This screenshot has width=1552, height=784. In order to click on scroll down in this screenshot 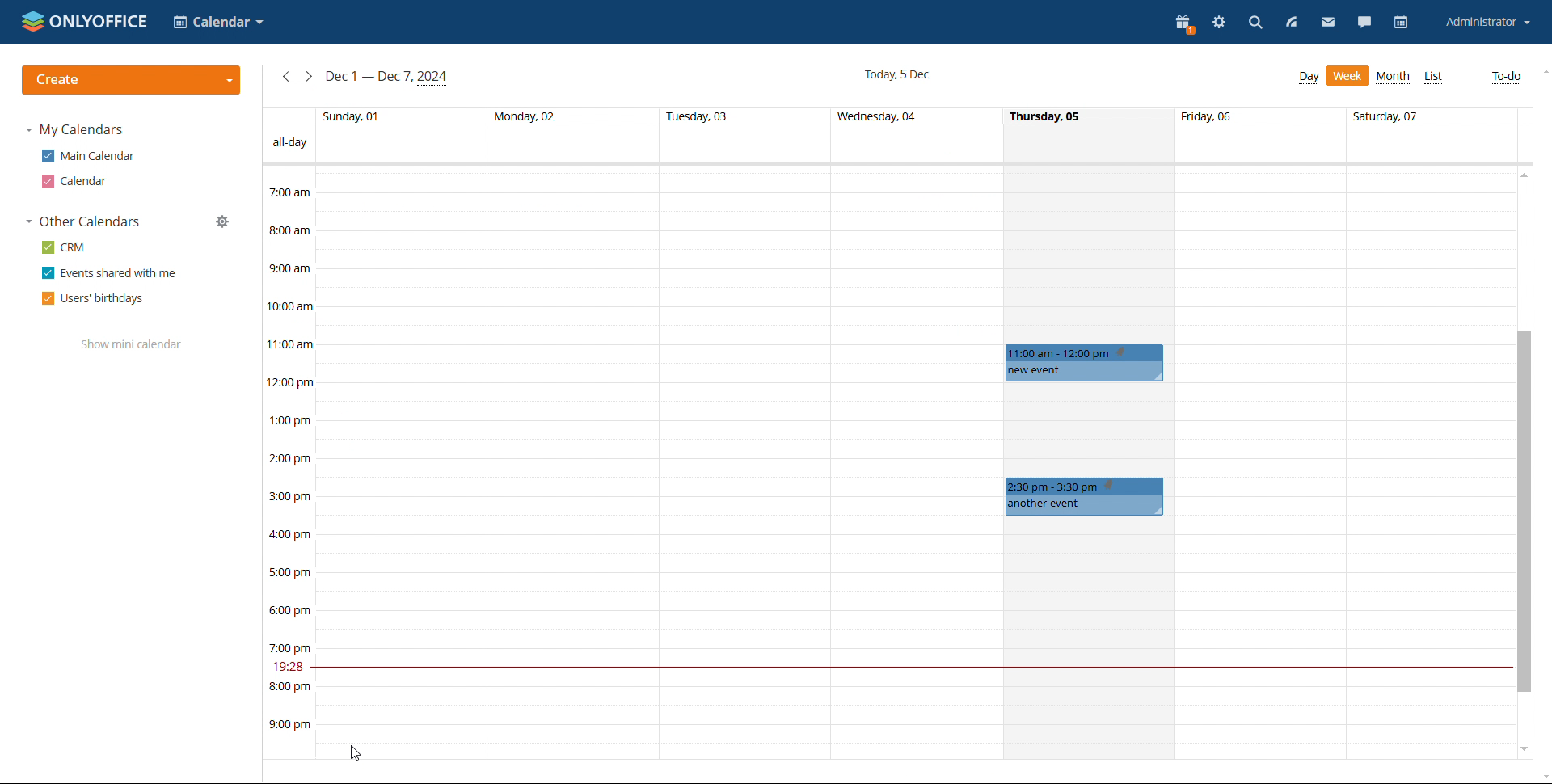, I will do `click(1523, 748)`.